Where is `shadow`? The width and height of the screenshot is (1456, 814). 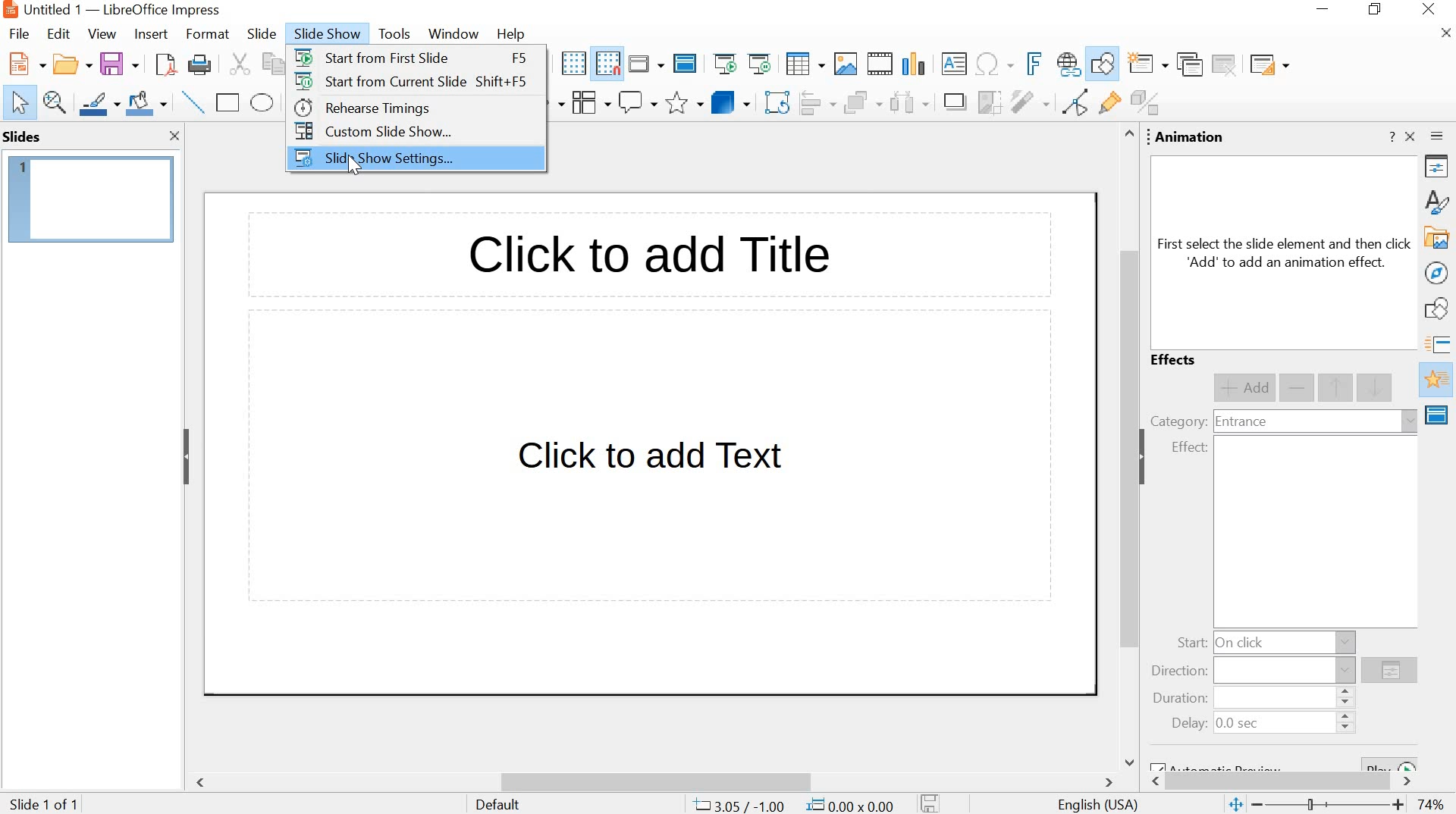 shadow is located at coordinates (954, 103).